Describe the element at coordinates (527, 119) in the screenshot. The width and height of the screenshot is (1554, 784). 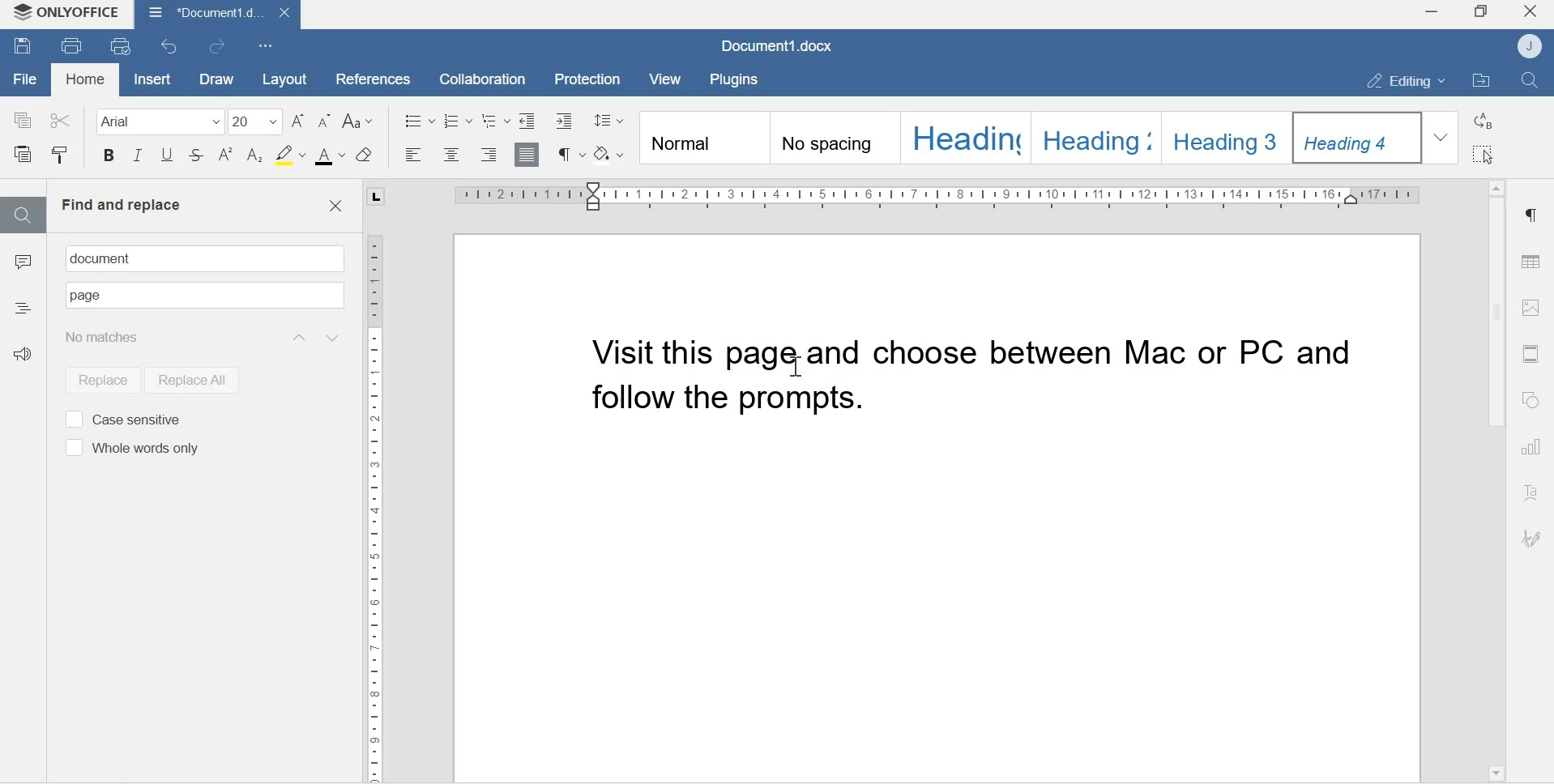
I see `Decrease indent` at that location.